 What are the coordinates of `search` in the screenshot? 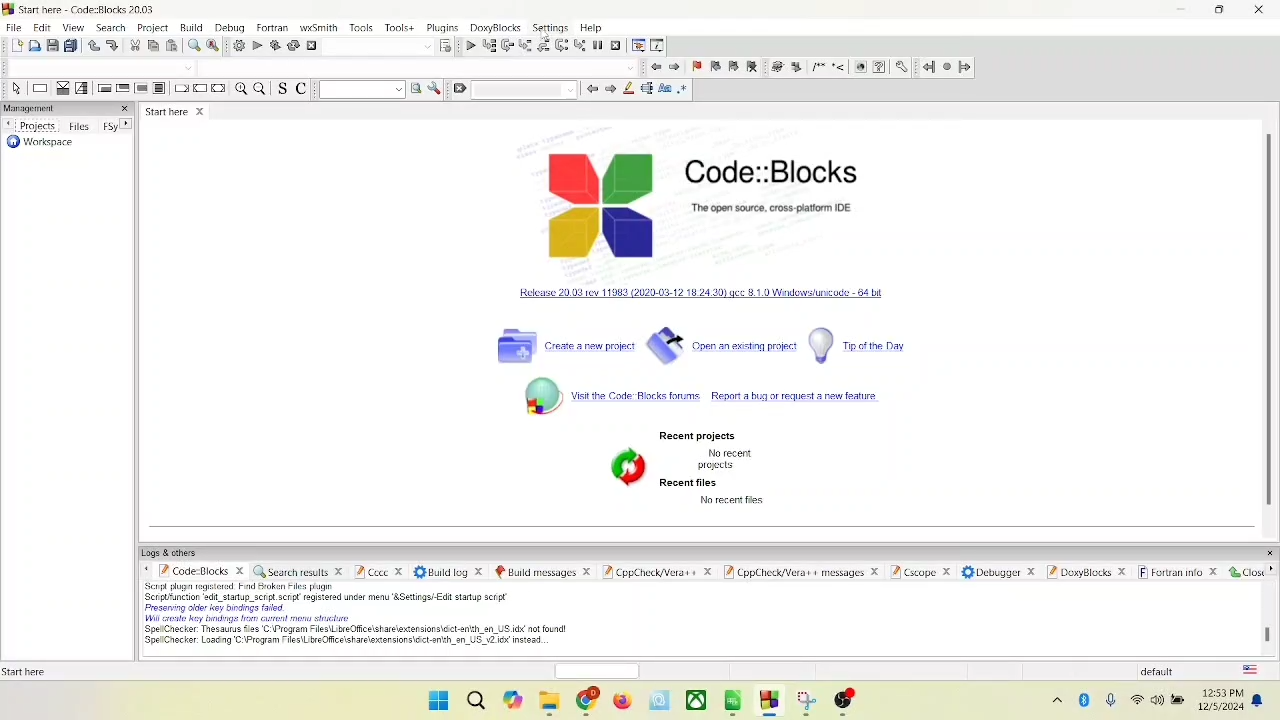 It's located at (477, 701).